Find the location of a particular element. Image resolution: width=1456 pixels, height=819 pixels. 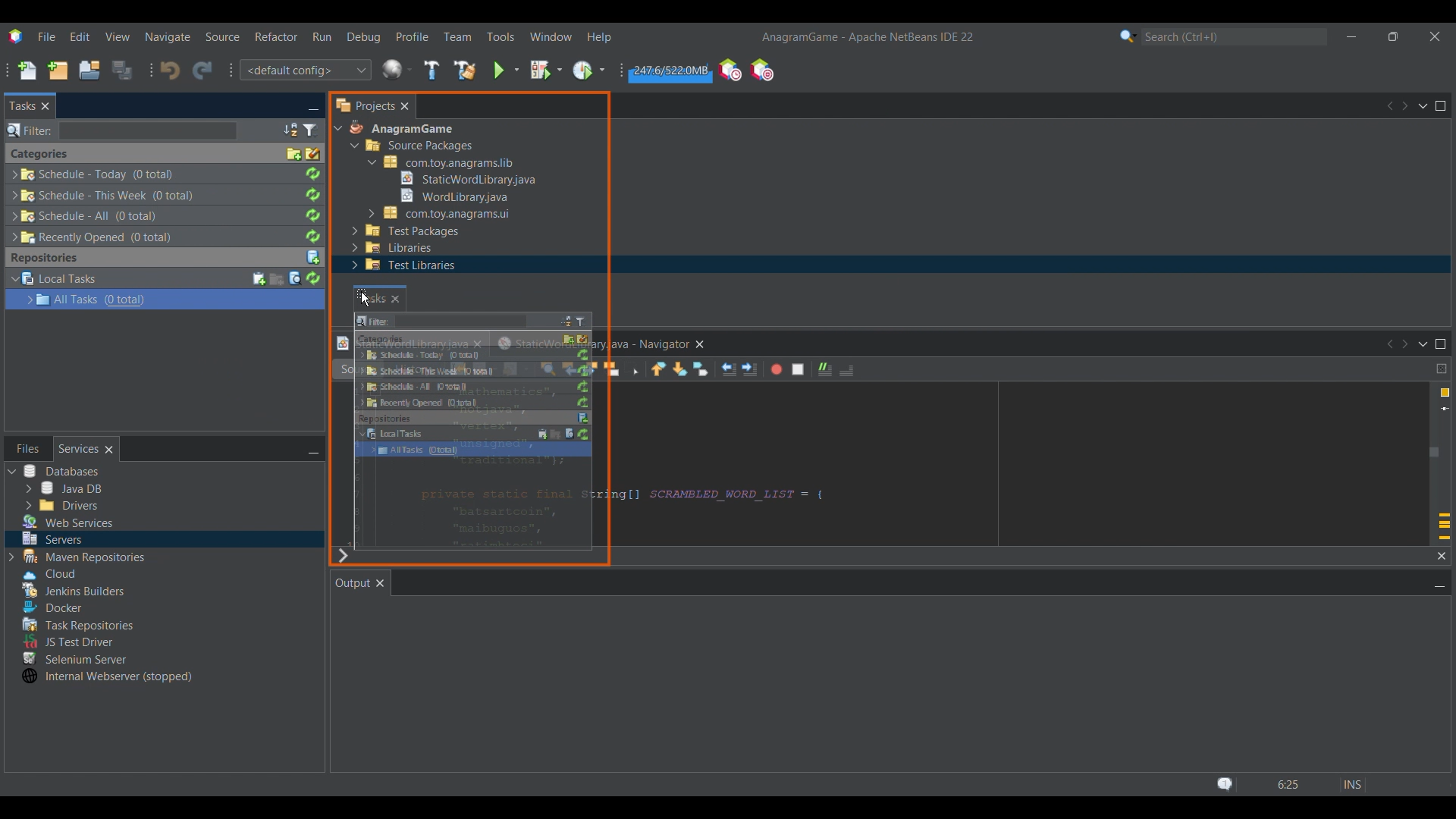

 is located at coordinates (60, 472).